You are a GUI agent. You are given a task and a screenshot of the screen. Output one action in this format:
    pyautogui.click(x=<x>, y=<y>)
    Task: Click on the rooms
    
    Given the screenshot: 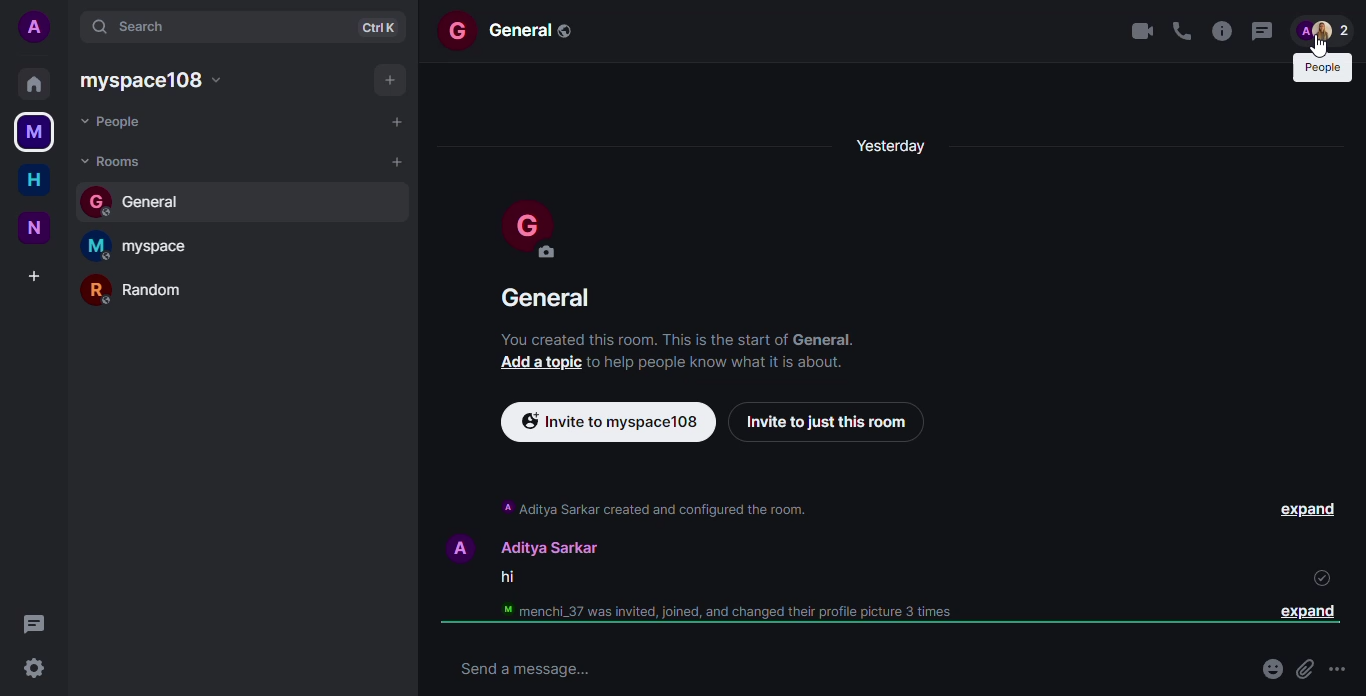 What is the action you would take?
    pyautogui.click(x=123, y=162)
    